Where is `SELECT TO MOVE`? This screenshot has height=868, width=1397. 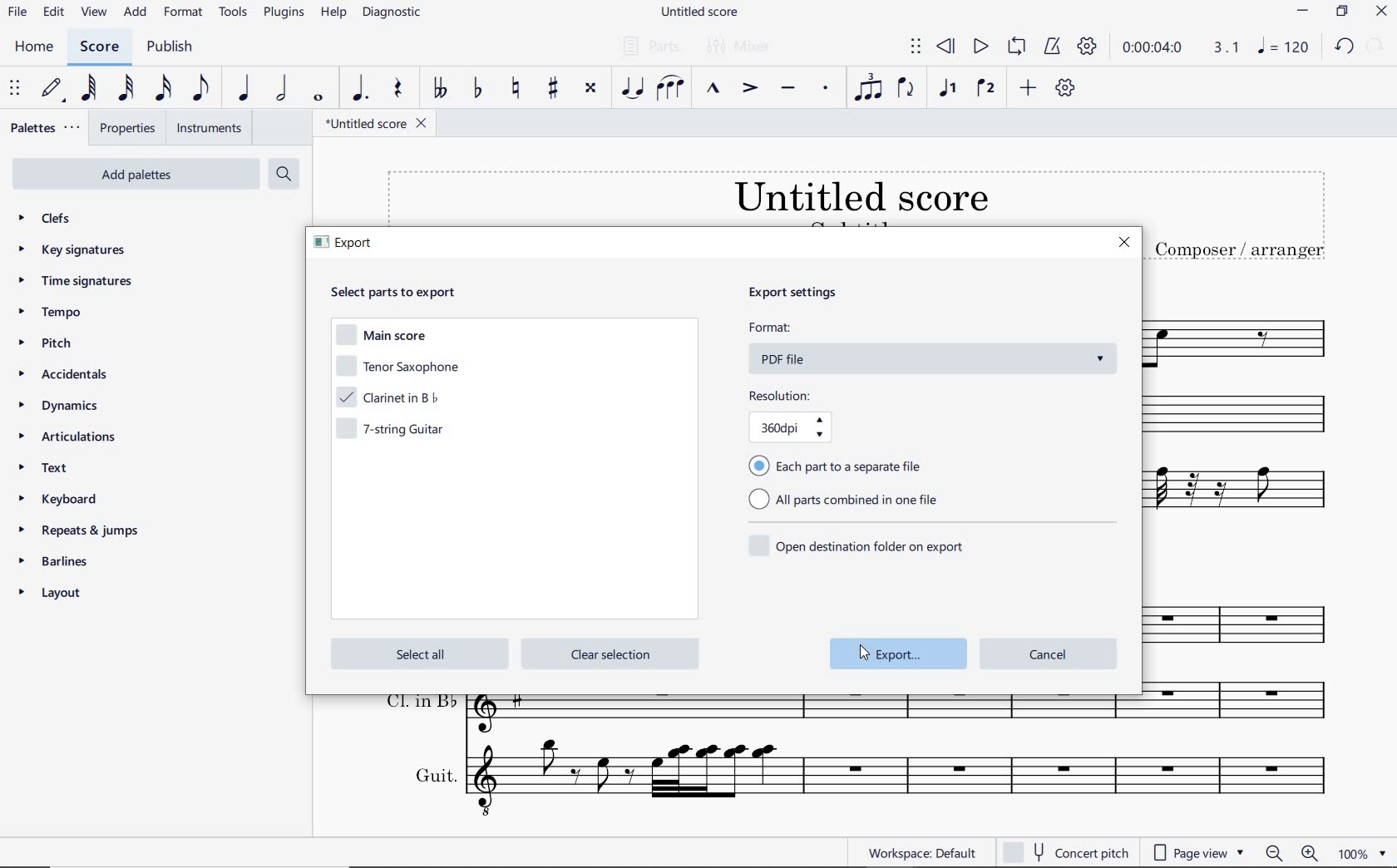
SELECT TO MOVE is located at coordinates (915, 46).